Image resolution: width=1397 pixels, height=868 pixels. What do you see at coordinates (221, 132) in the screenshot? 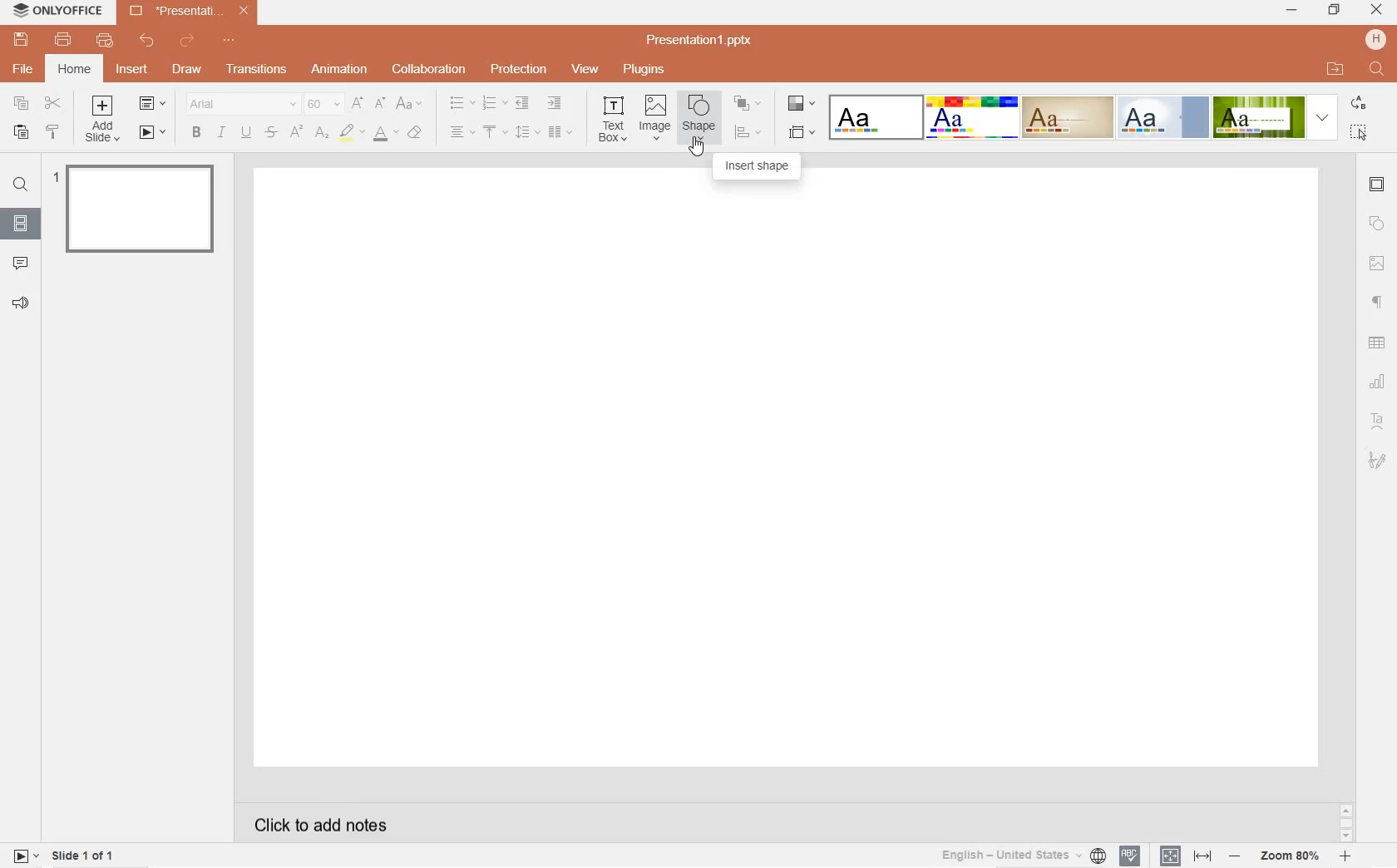
I see `italic` at bounding box center [221, 132].